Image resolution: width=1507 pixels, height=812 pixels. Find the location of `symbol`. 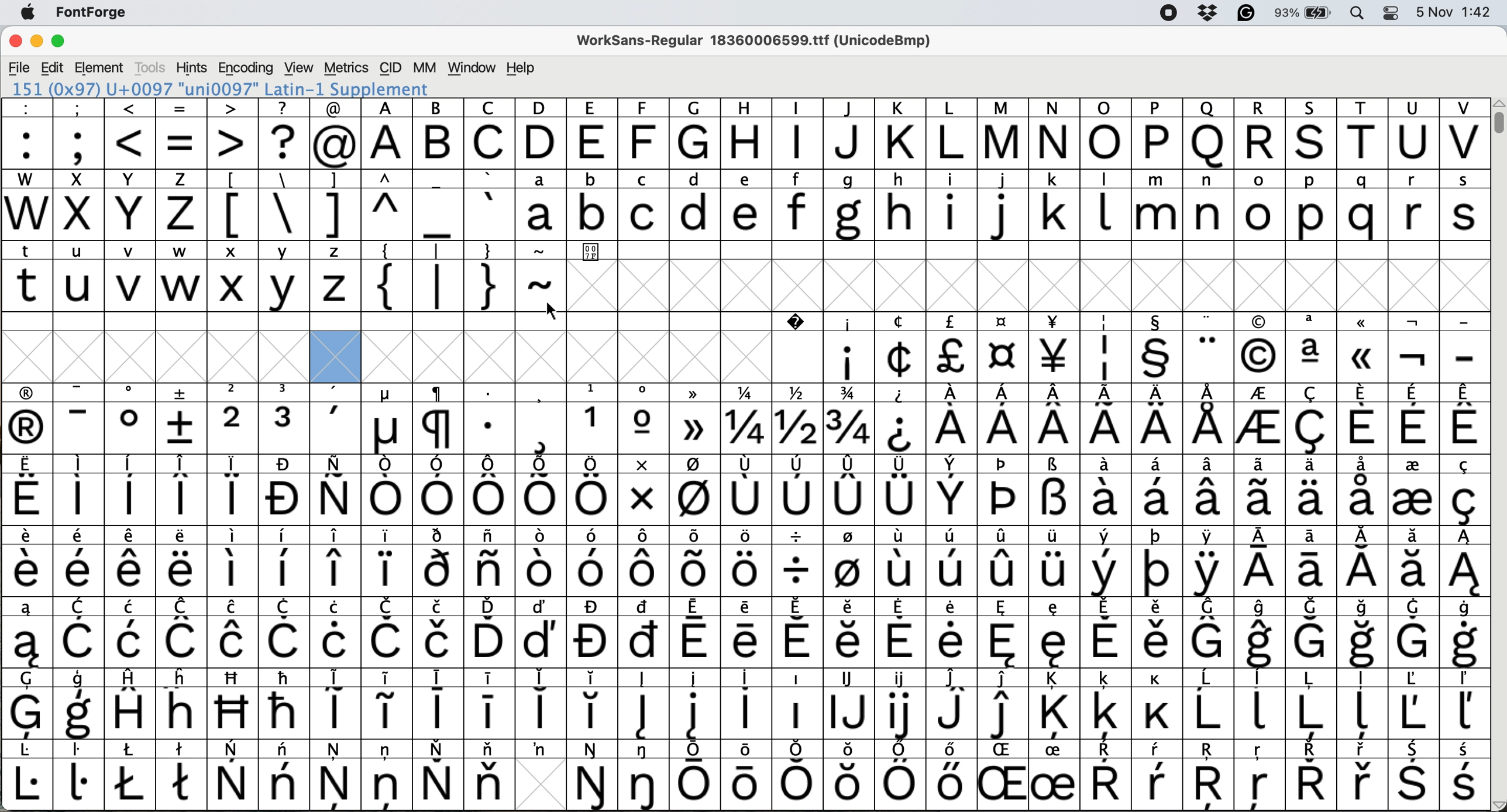

symbol is located at coordinates (952, 562).